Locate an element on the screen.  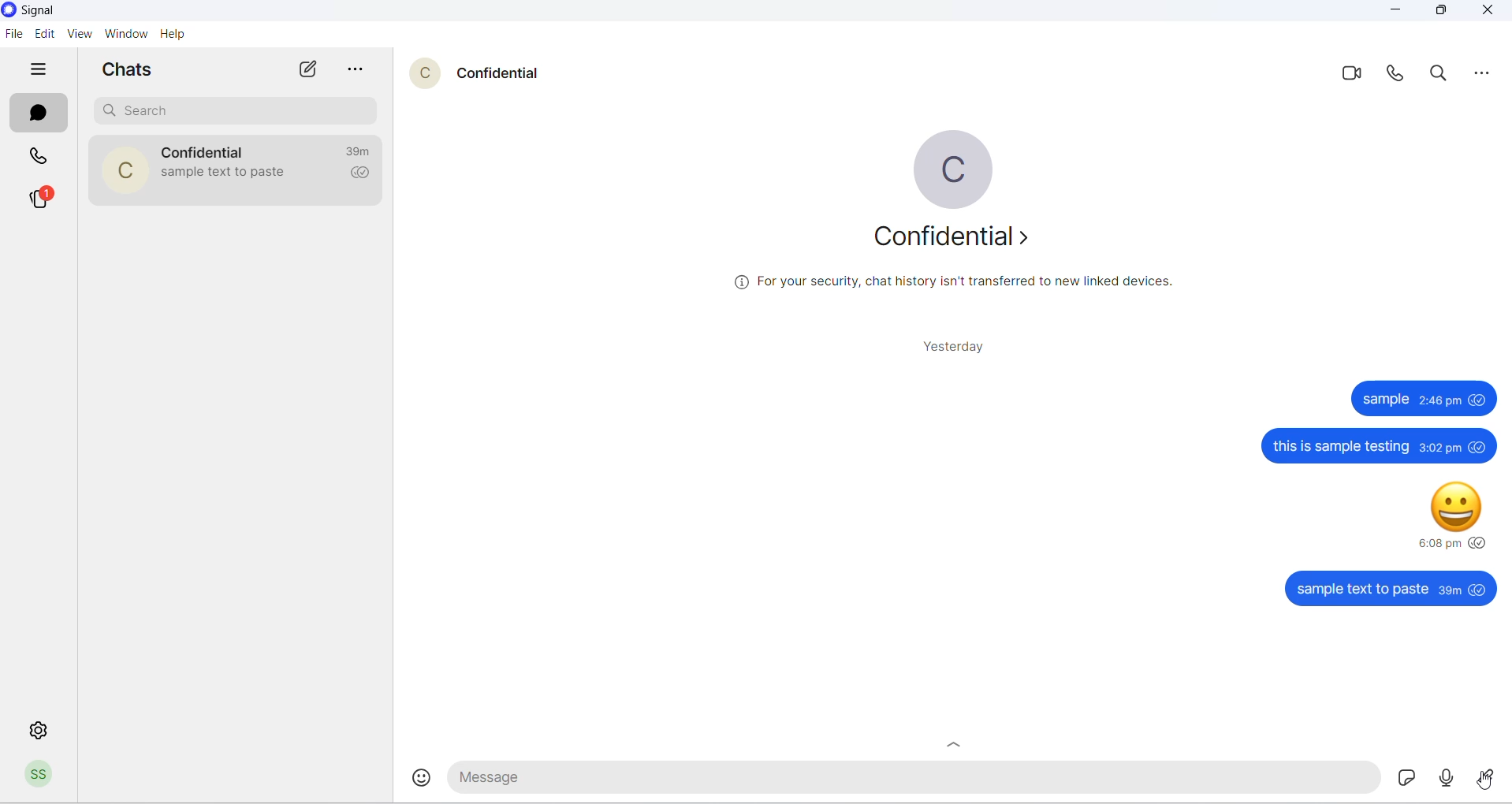
share attachment is located at coordinates (1487, 778).